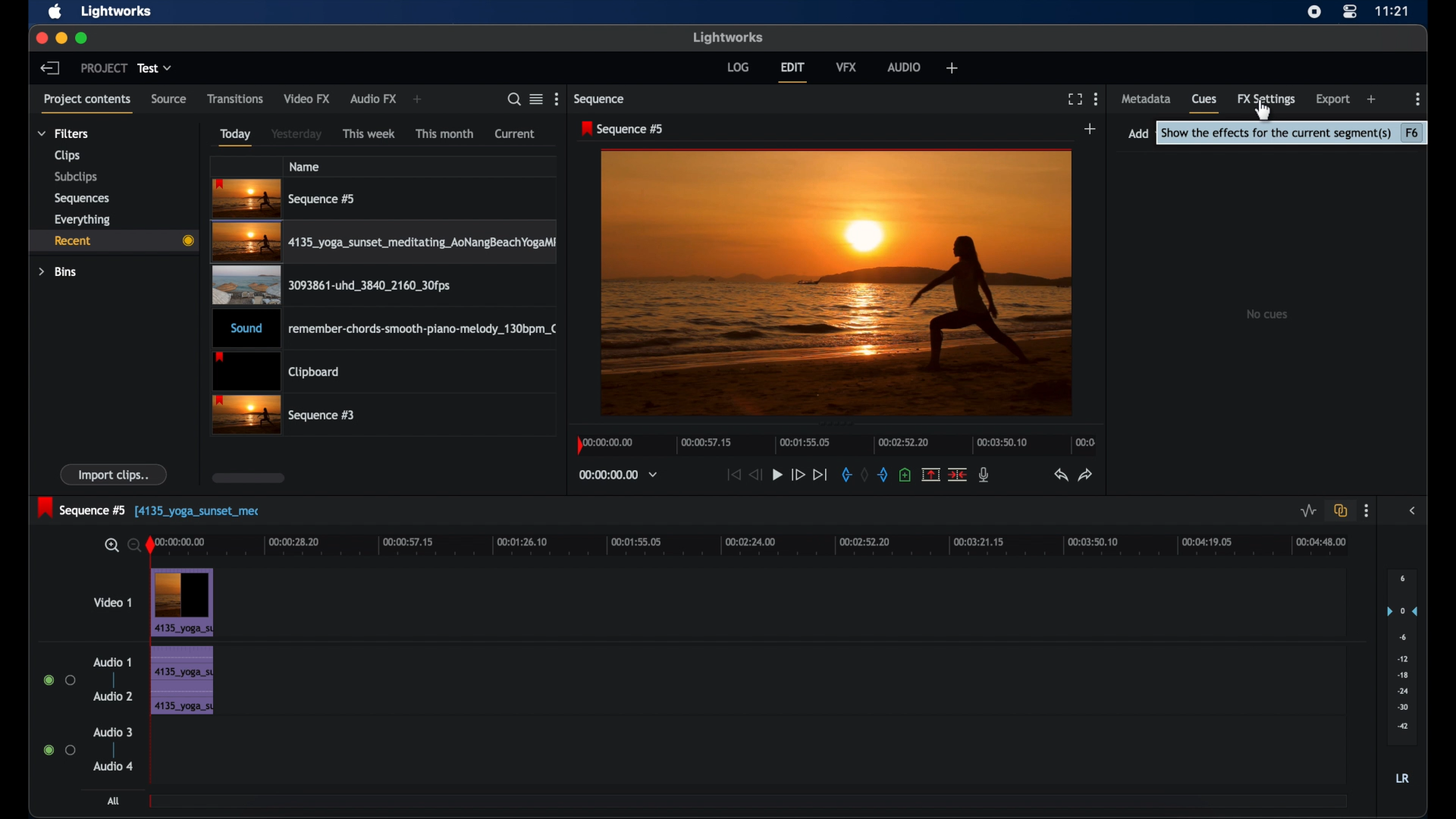  What do you see at coordinates (836, 284) in the screenshot?
I see `video preview` at bounding box center [836, 284].